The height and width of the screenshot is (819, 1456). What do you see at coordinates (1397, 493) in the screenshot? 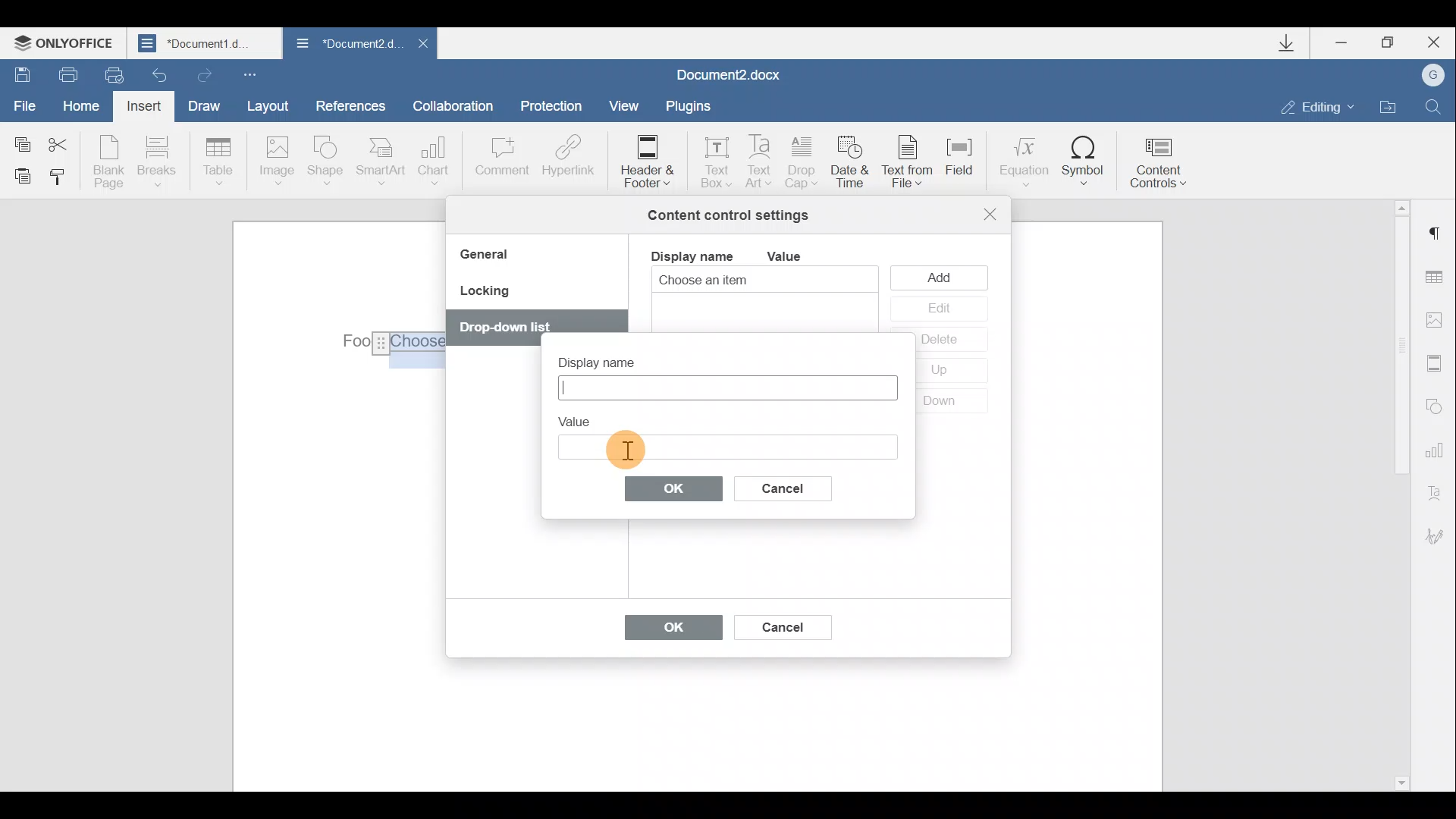
I see `Scroll bar` at bounding box center [1397, 493].